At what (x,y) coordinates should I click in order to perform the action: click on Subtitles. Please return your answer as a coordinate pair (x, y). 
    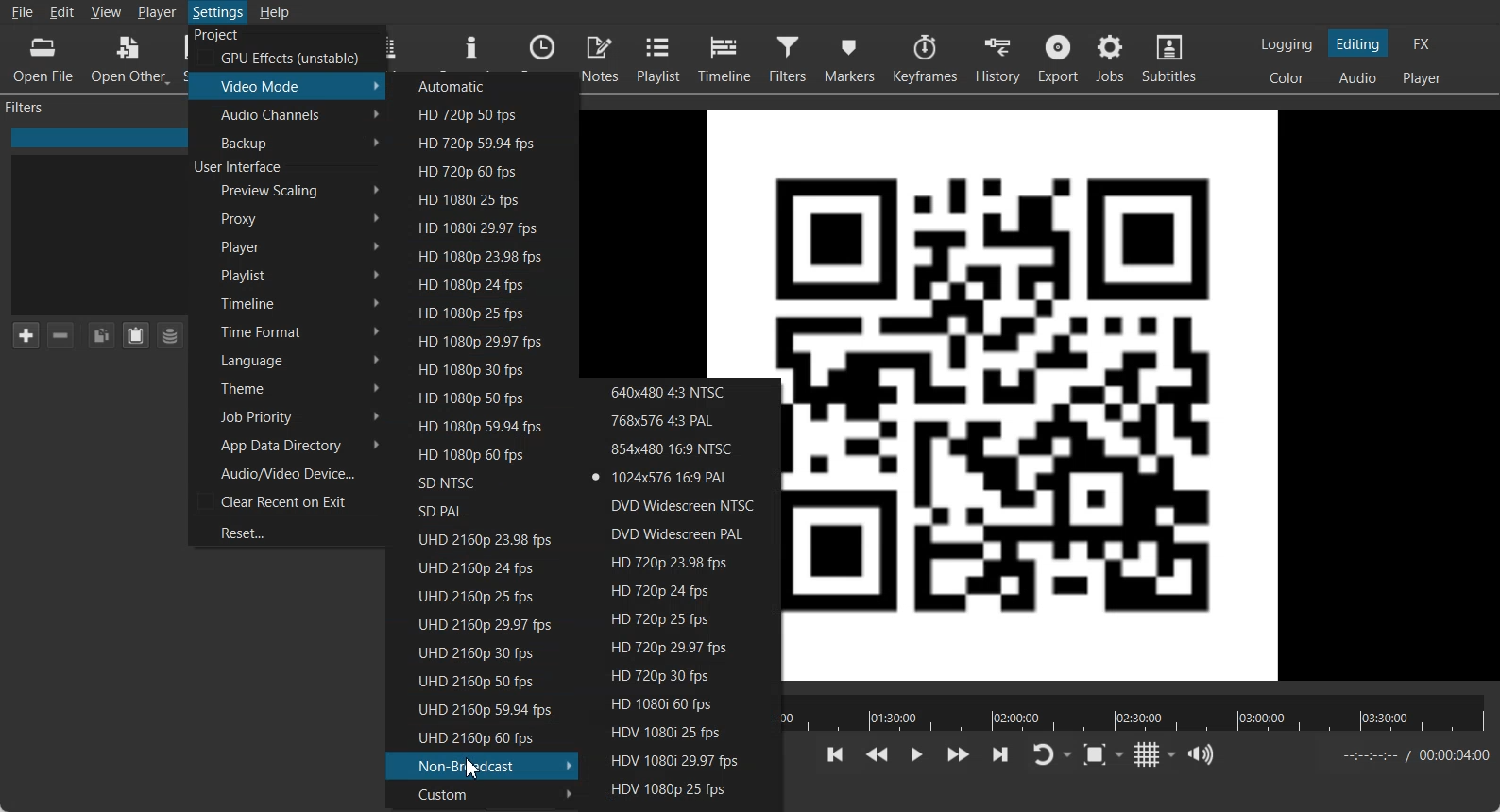
    Looking at the image, I should click on (1171, 59).